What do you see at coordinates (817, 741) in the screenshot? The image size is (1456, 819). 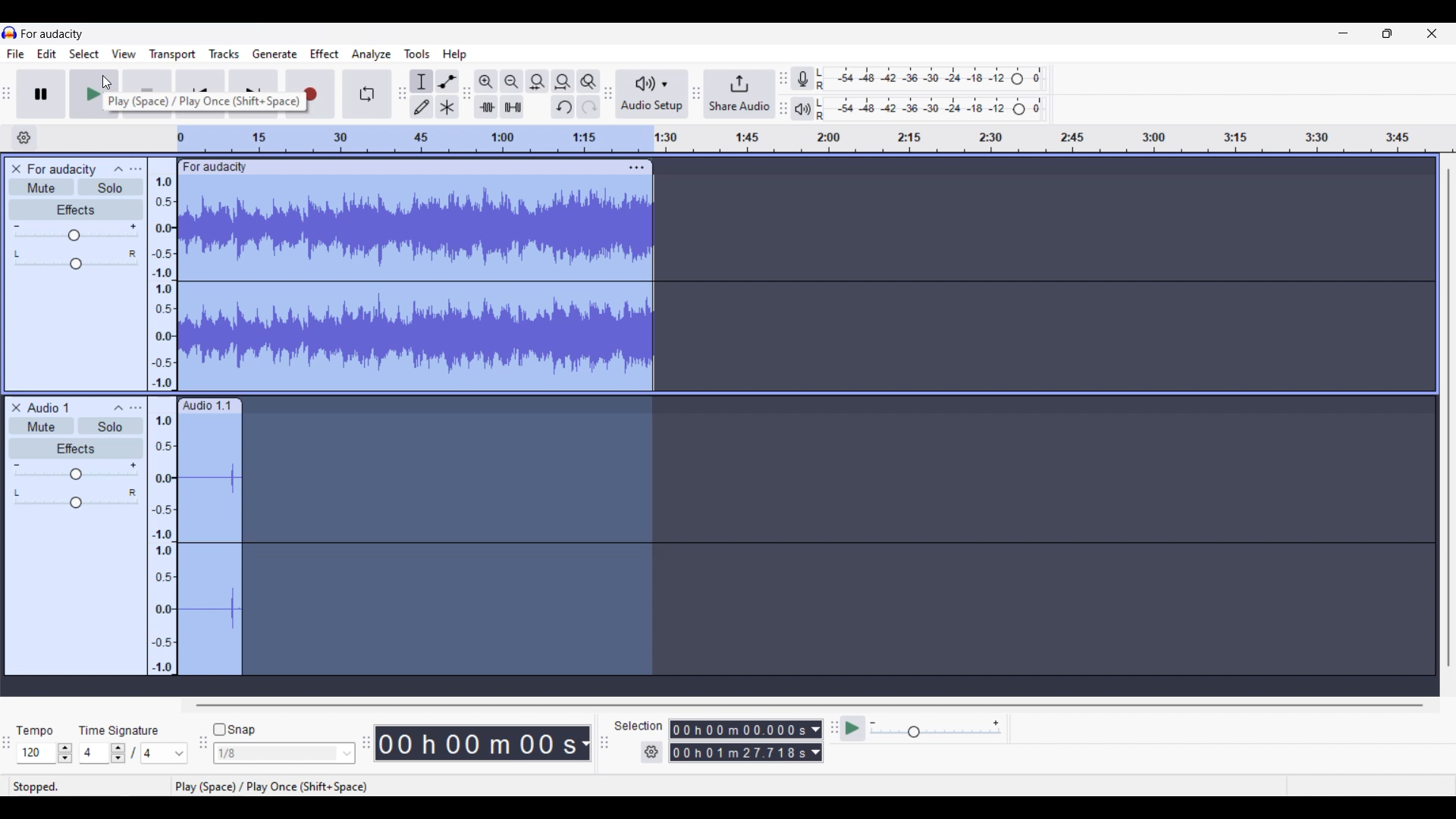 I see `Duration measurement` at bounding box center [817, 741].